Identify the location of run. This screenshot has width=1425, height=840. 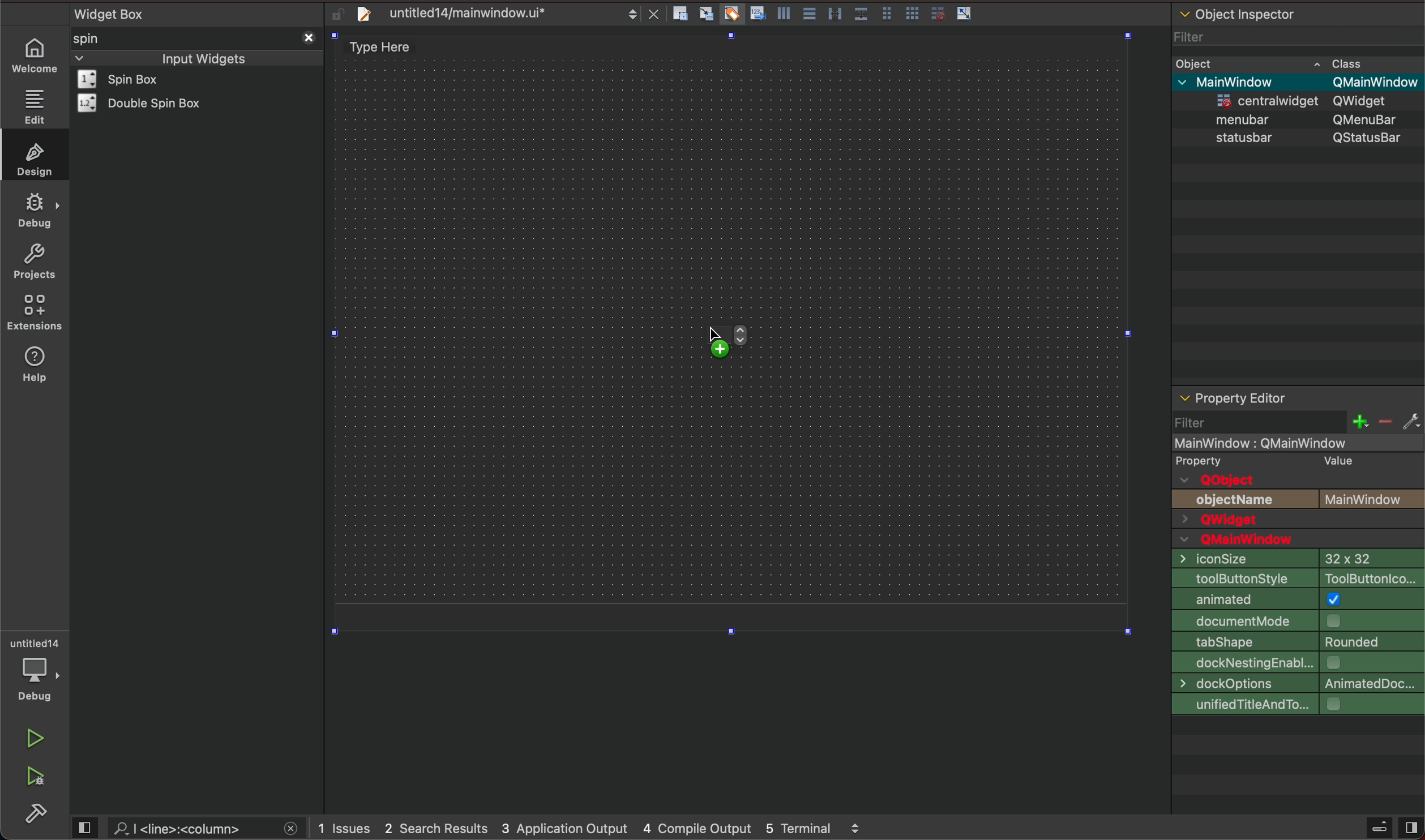
(33, 739).